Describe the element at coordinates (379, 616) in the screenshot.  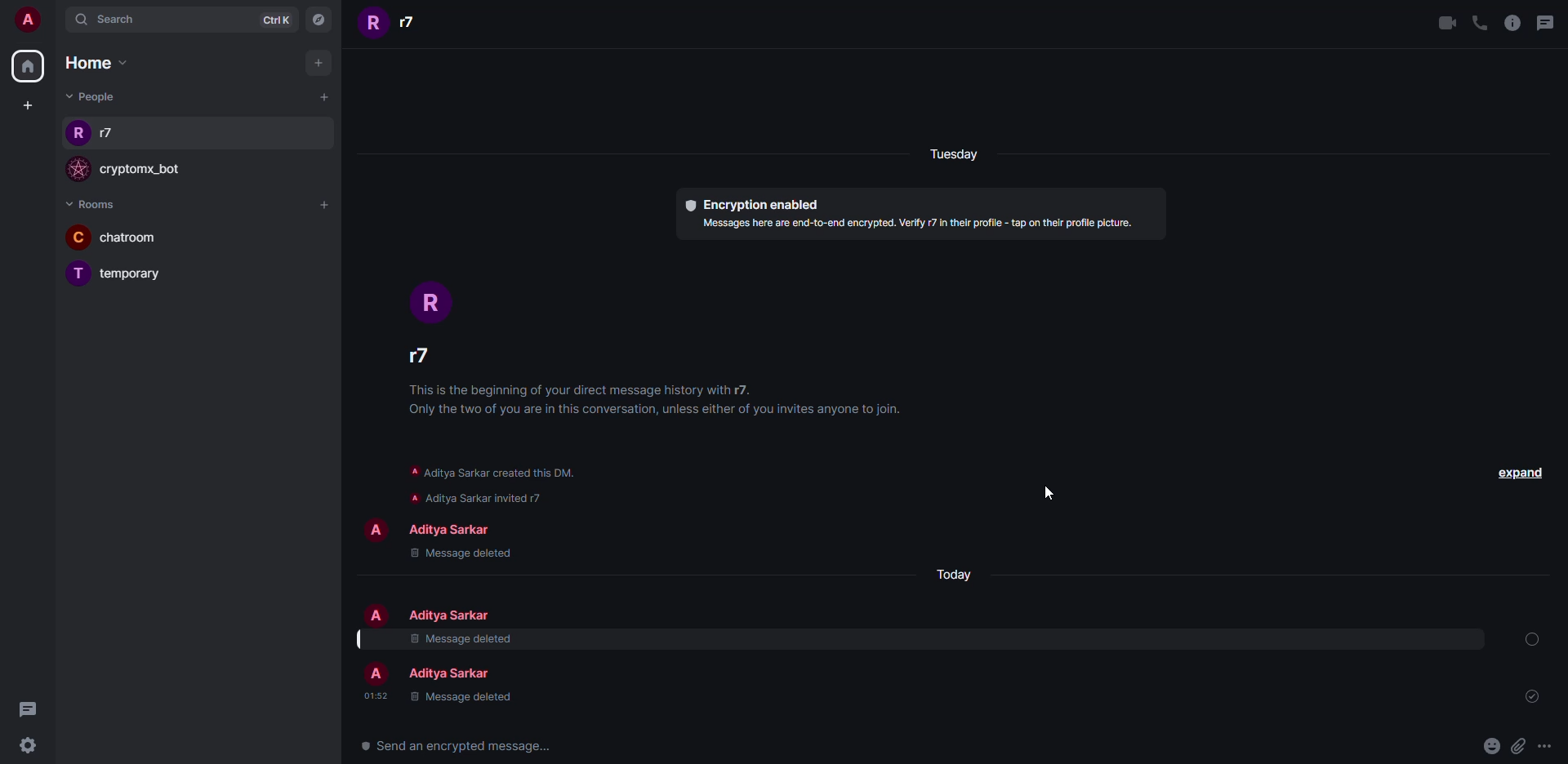
I see `profile` at that location.